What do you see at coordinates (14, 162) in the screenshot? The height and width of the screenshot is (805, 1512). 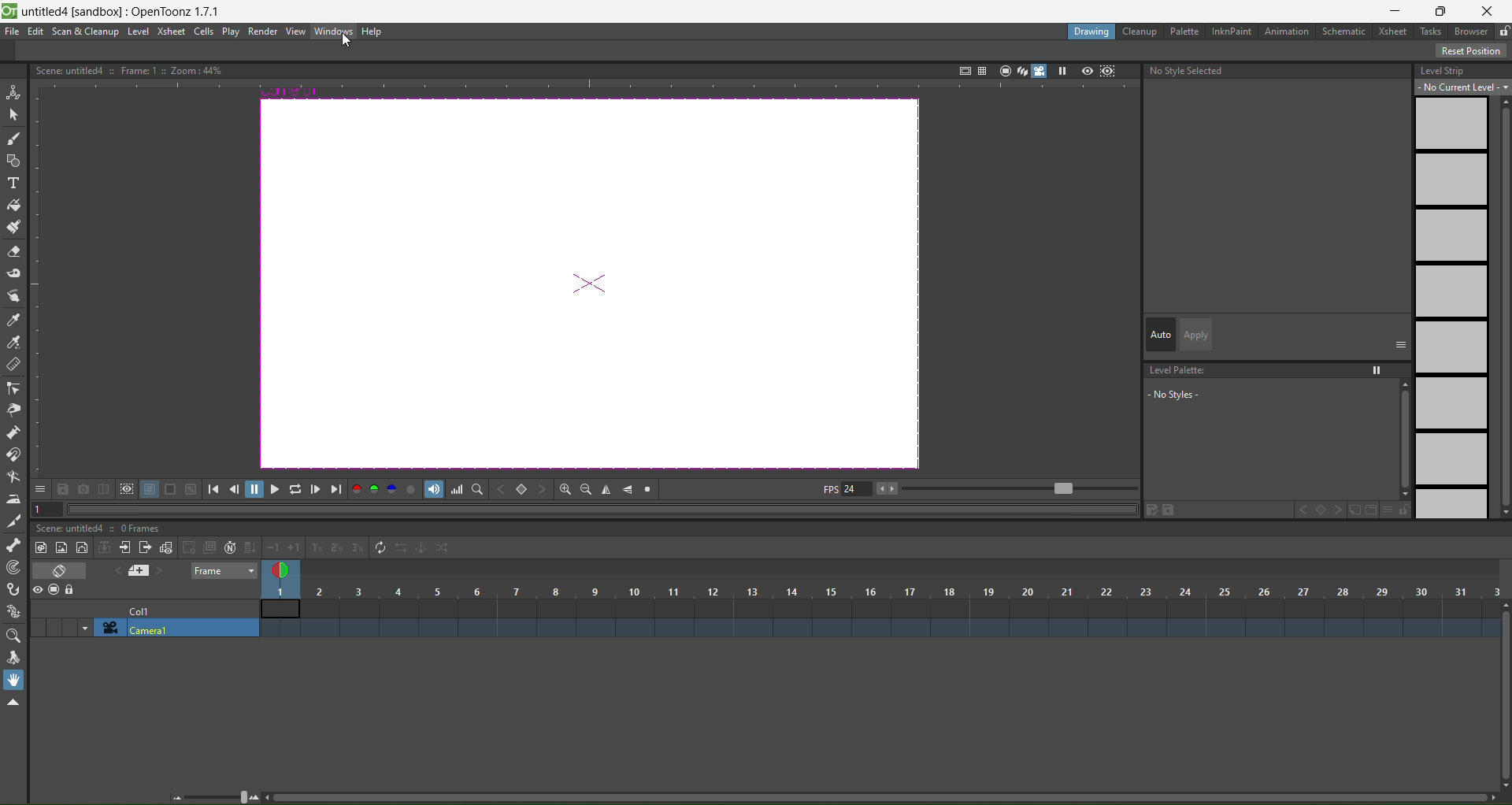 I see `geometry tool` at bounding box center [14, 162].